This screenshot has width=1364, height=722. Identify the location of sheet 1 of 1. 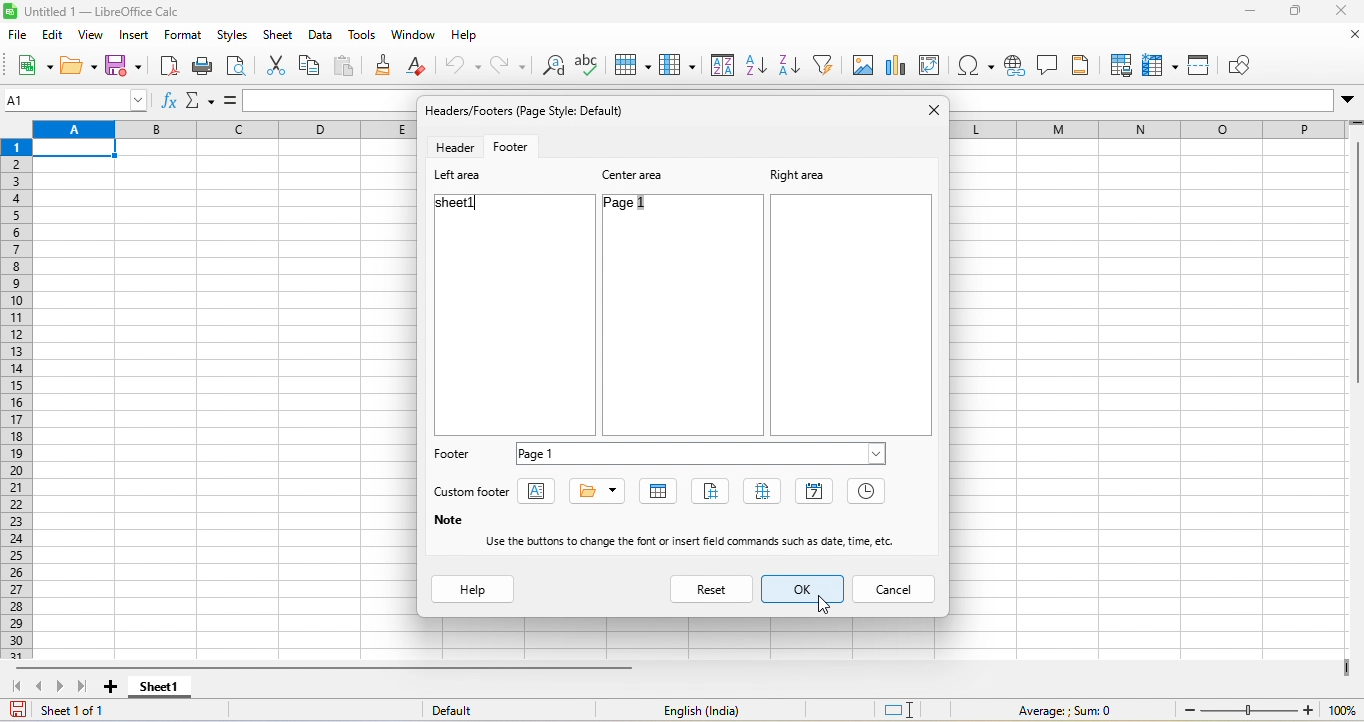
(68, 710).